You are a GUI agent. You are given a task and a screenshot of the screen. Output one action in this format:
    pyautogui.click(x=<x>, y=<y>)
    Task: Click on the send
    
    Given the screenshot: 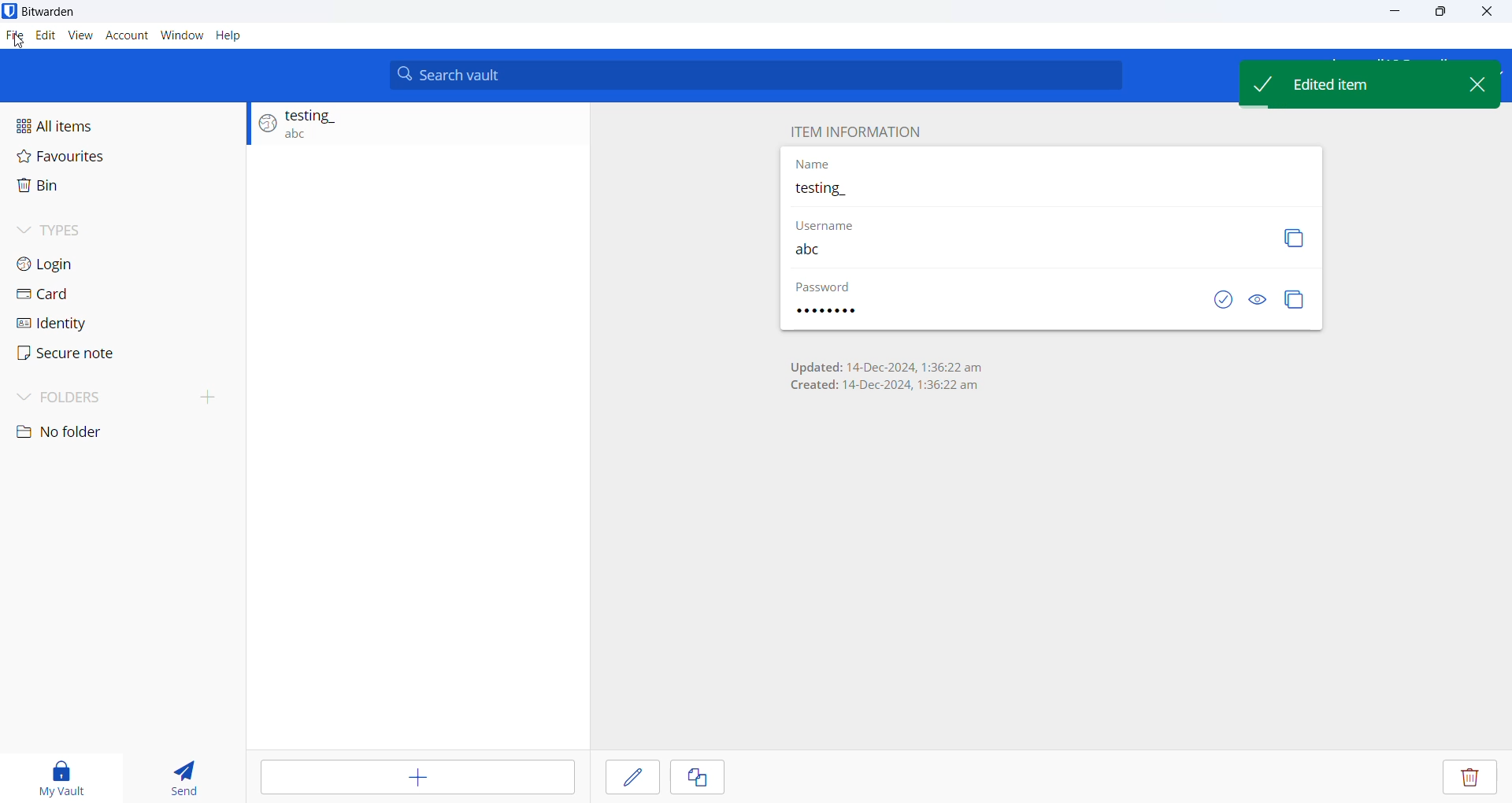 What is the action you would take?
    pyautogui.click(x=186, y=774)
    